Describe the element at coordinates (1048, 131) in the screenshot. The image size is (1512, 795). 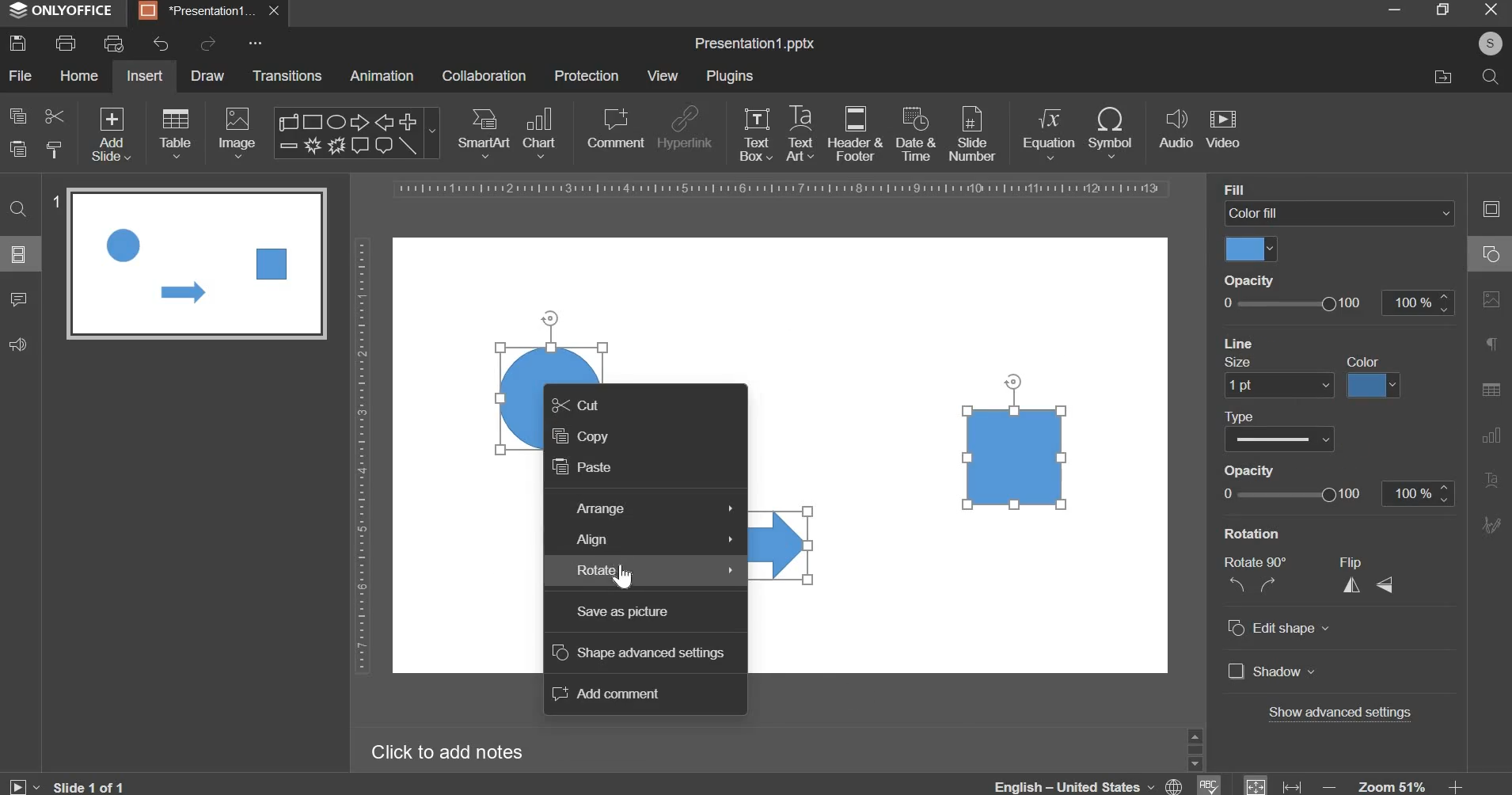
I see `equation` at that location.